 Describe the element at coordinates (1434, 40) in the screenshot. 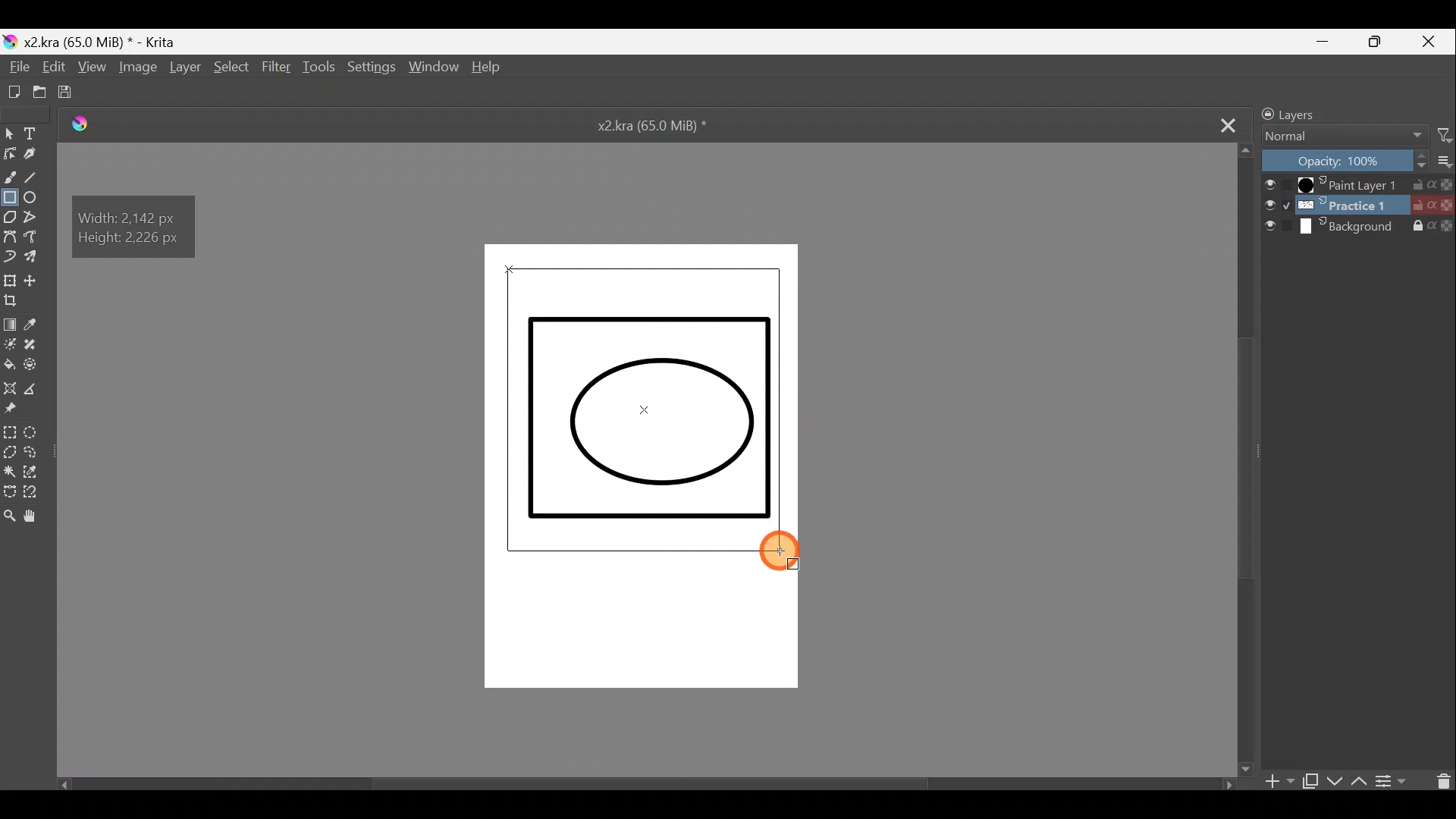

I see `Close` at that location.